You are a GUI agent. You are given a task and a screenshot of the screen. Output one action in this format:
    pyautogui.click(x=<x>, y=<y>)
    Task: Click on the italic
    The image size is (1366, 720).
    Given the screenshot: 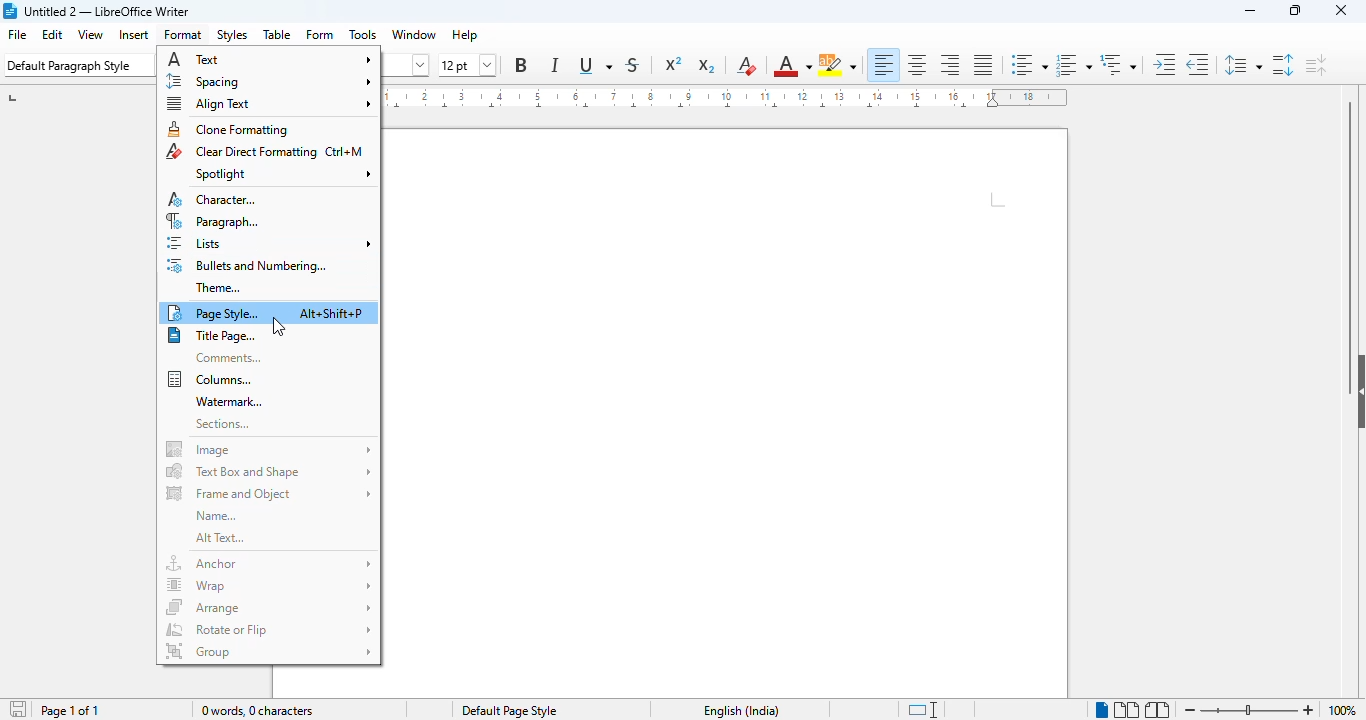 What is the action you would take?
    pyautogui.click(x=555, y=65)
    